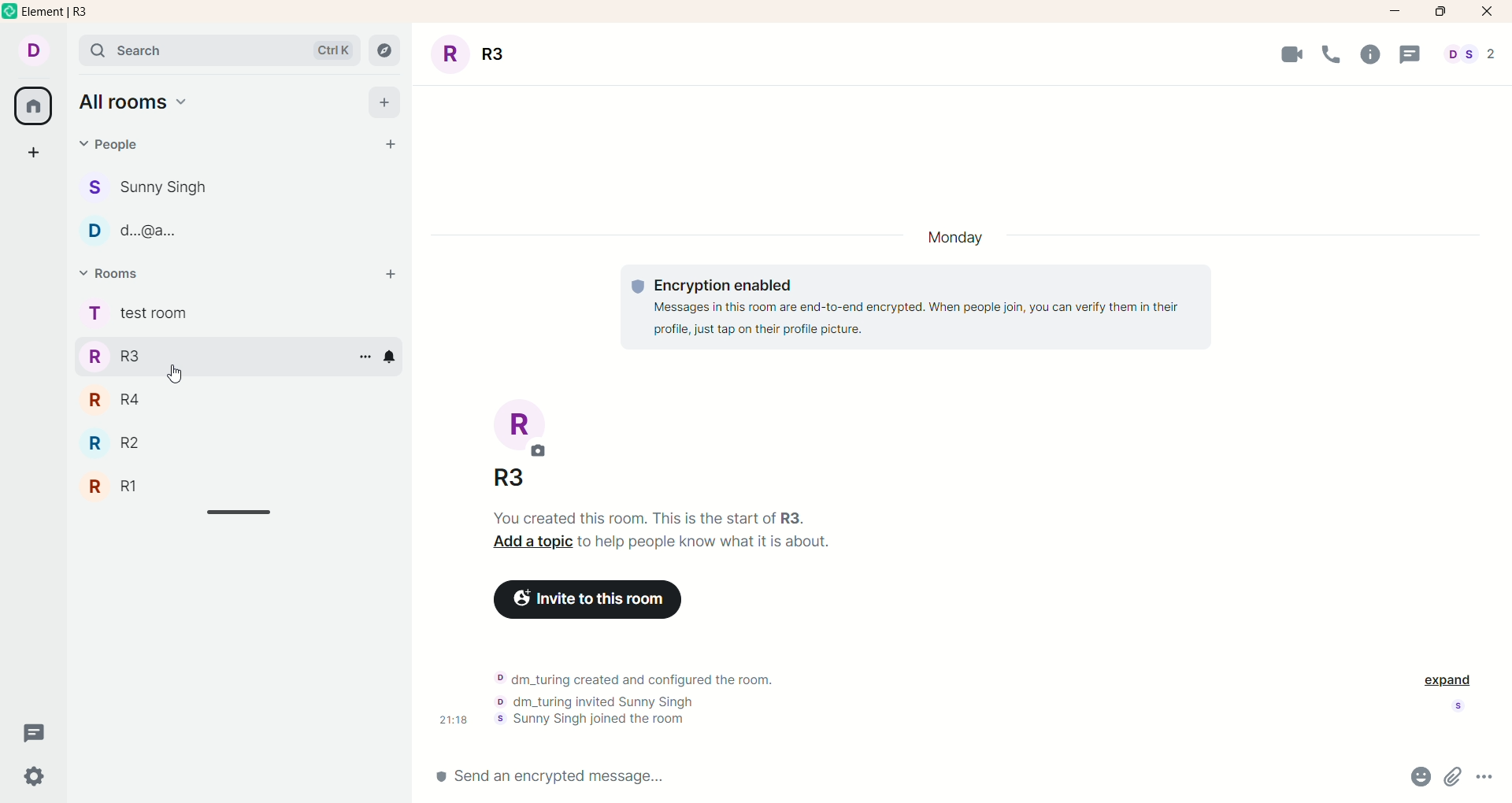 This screenshot has height=803, width=1512. What do you see at coordinates (172, 374) in the screenshot?
I see `cursor` at bounding box center [172, 374].